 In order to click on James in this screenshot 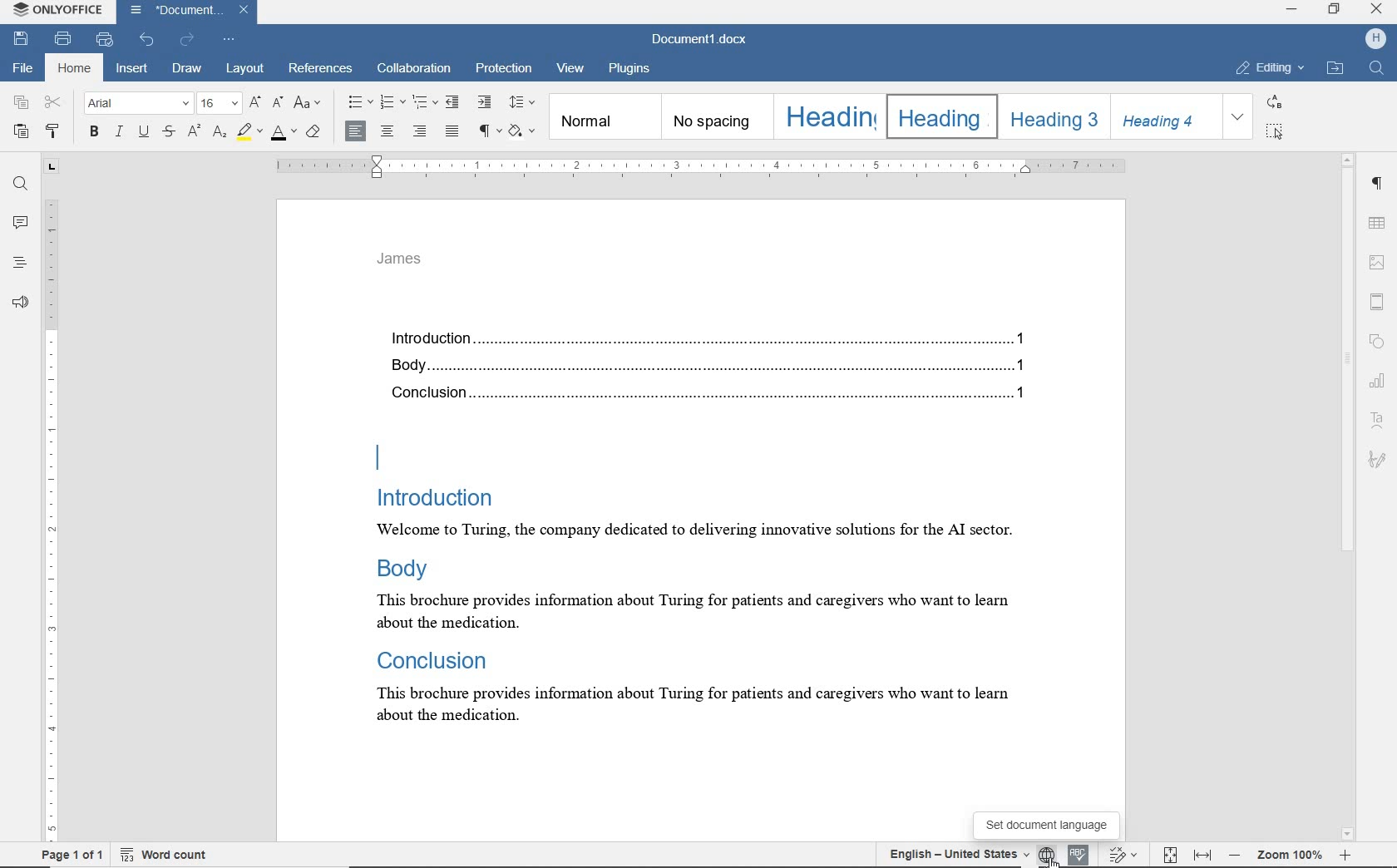, I will do `click(400, 259)`.